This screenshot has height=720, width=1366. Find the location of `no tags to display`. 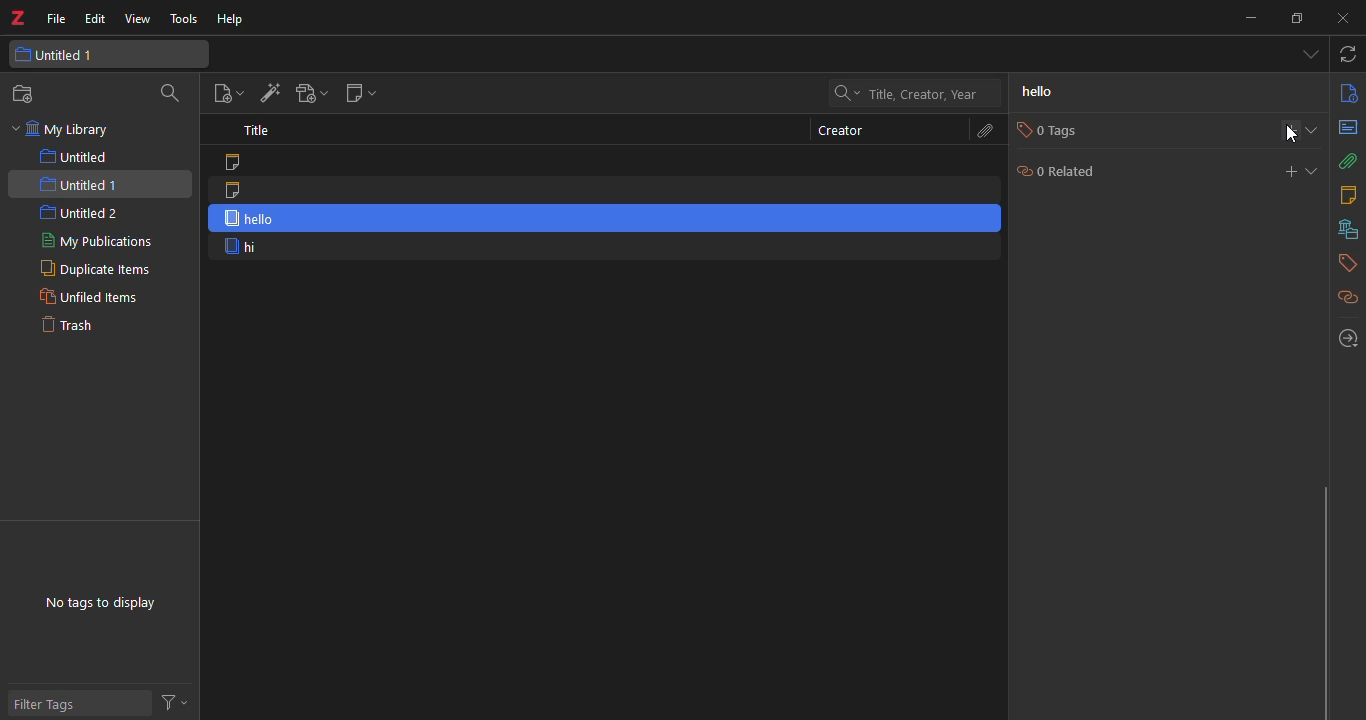

no tags to display is located at coordinates (106, 595).